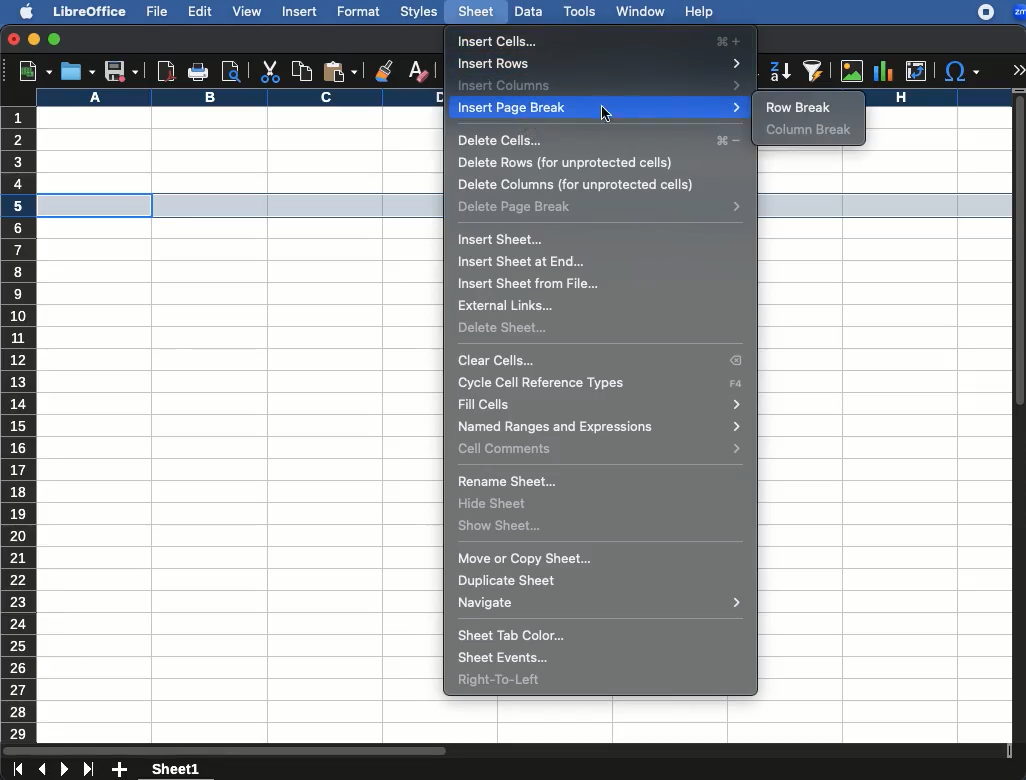 Image resolution: width=1026 pixels, height=780 pixels. I want to click on open, so click(77, 71).